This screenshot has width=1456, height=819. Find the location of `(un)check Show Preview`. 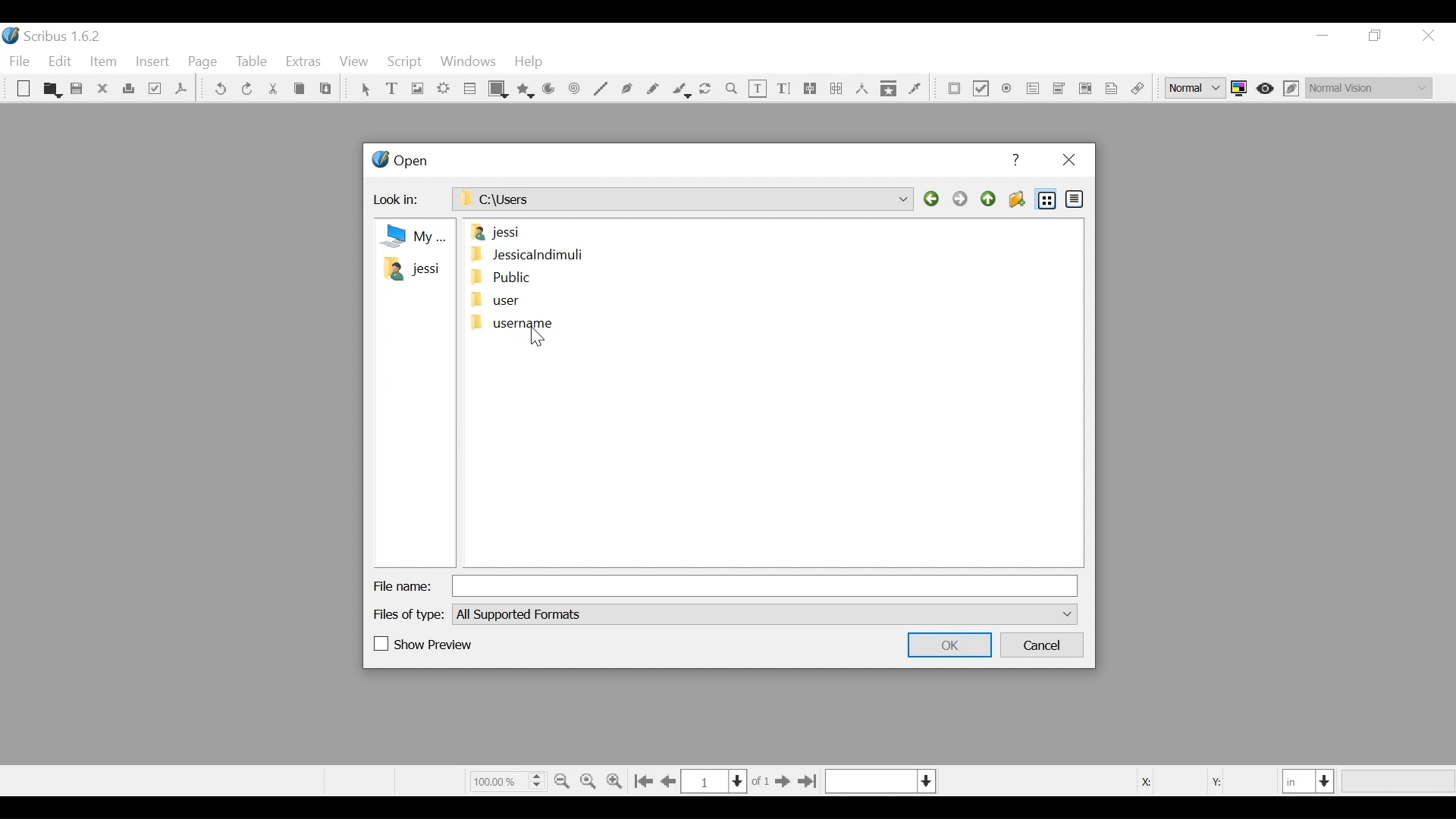

(un)check Show Preview is located at coordinates (424, 645).